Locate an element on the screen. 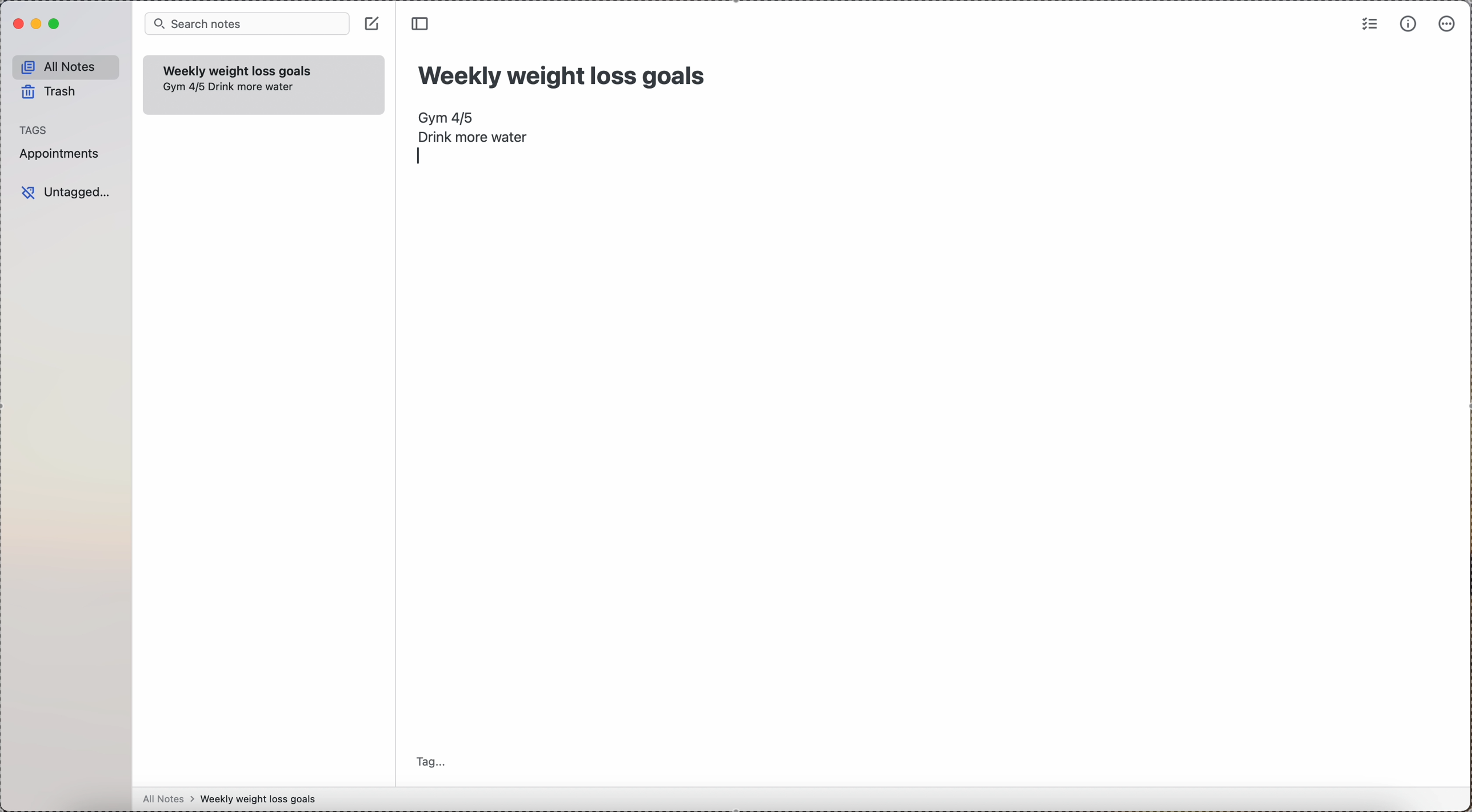 Image resolution: width=1472 pixels, height=812 pixels. search bar is located at coordinates (247, 24).